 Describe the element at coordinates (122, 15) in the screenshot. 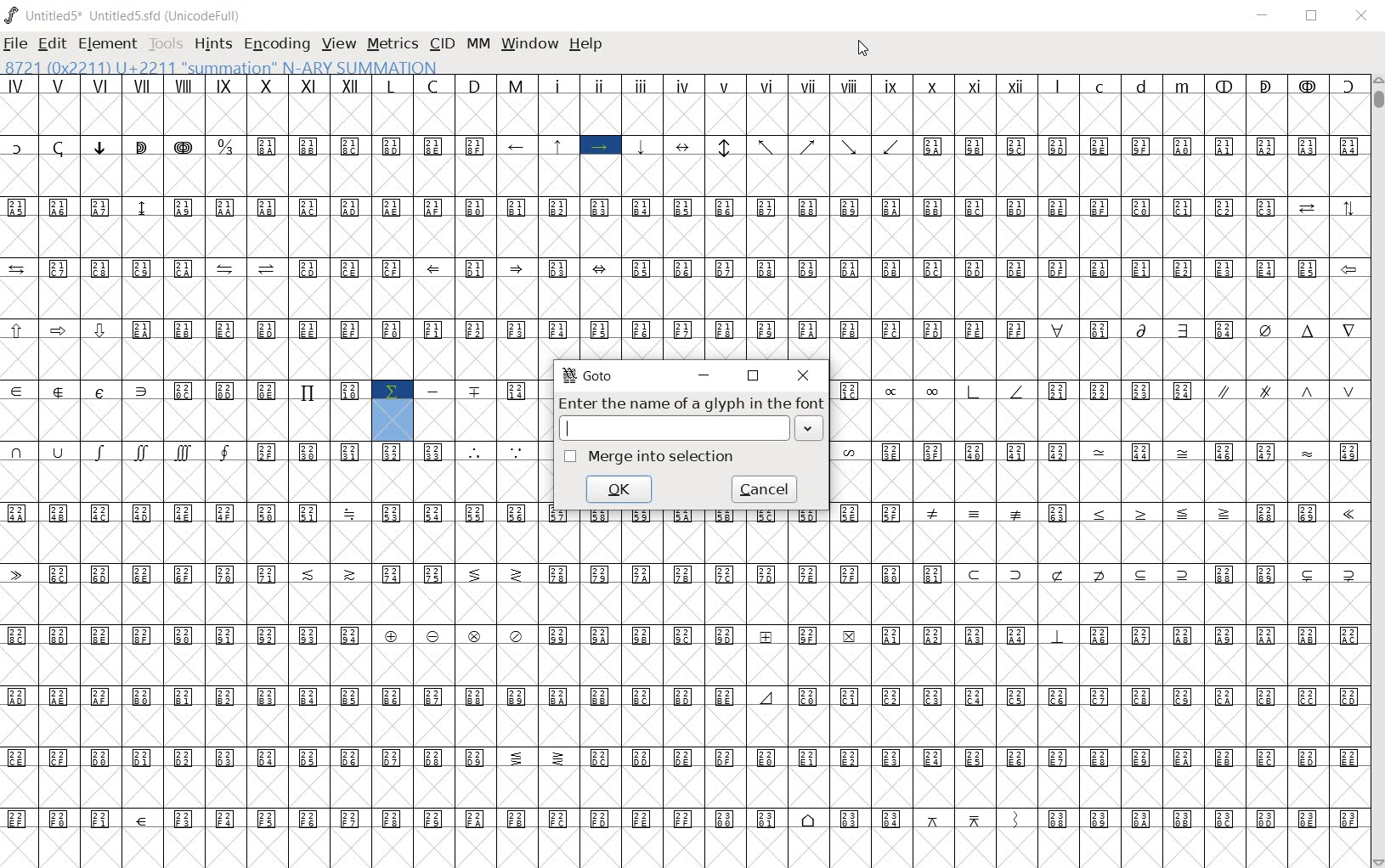

I see `Untitled1 Untitled1.sfd (UnicodeFull)` at that location.